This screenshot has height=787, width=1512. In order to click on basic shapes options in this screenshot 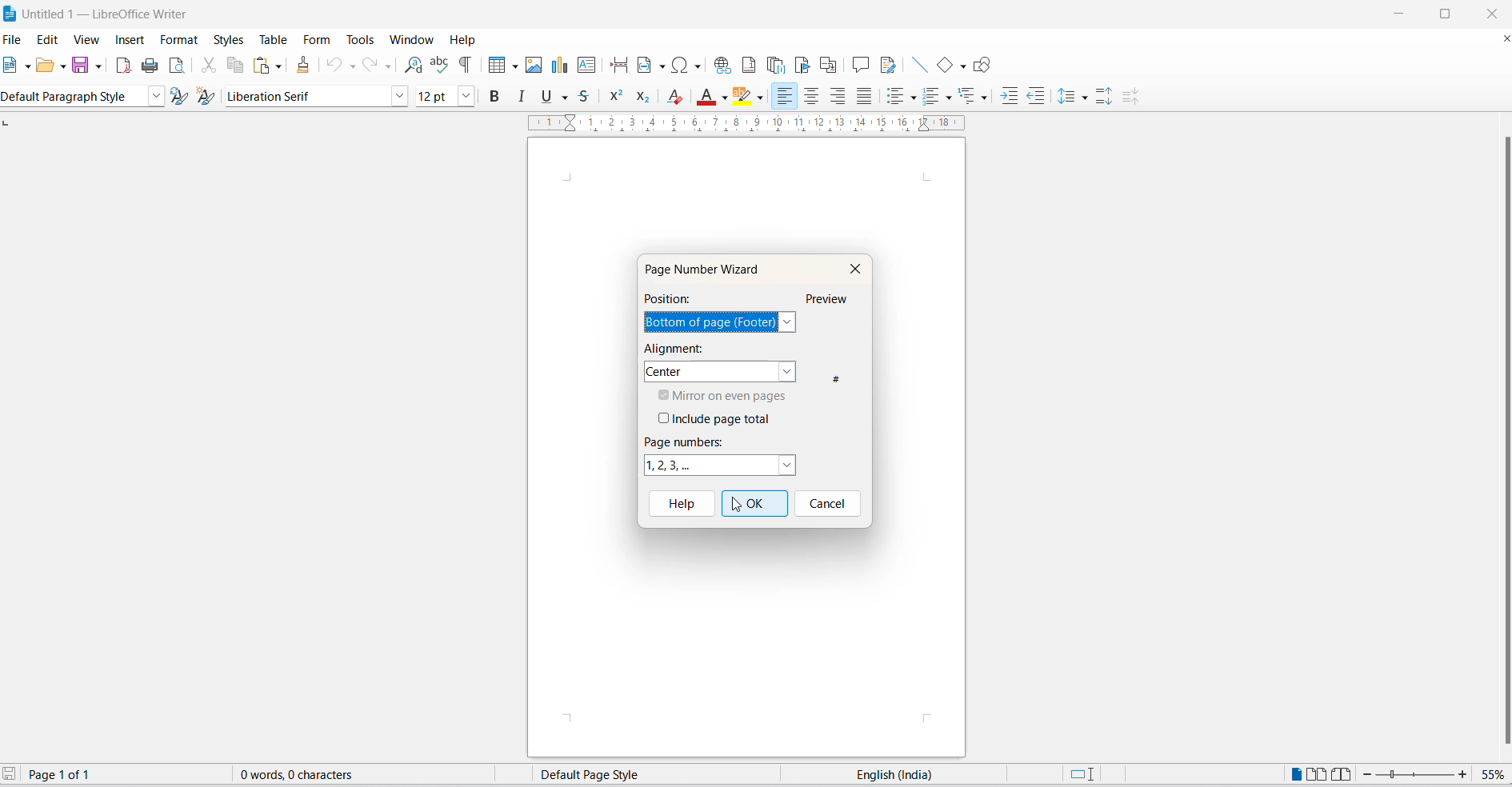, I will do `click(958, 66)`.